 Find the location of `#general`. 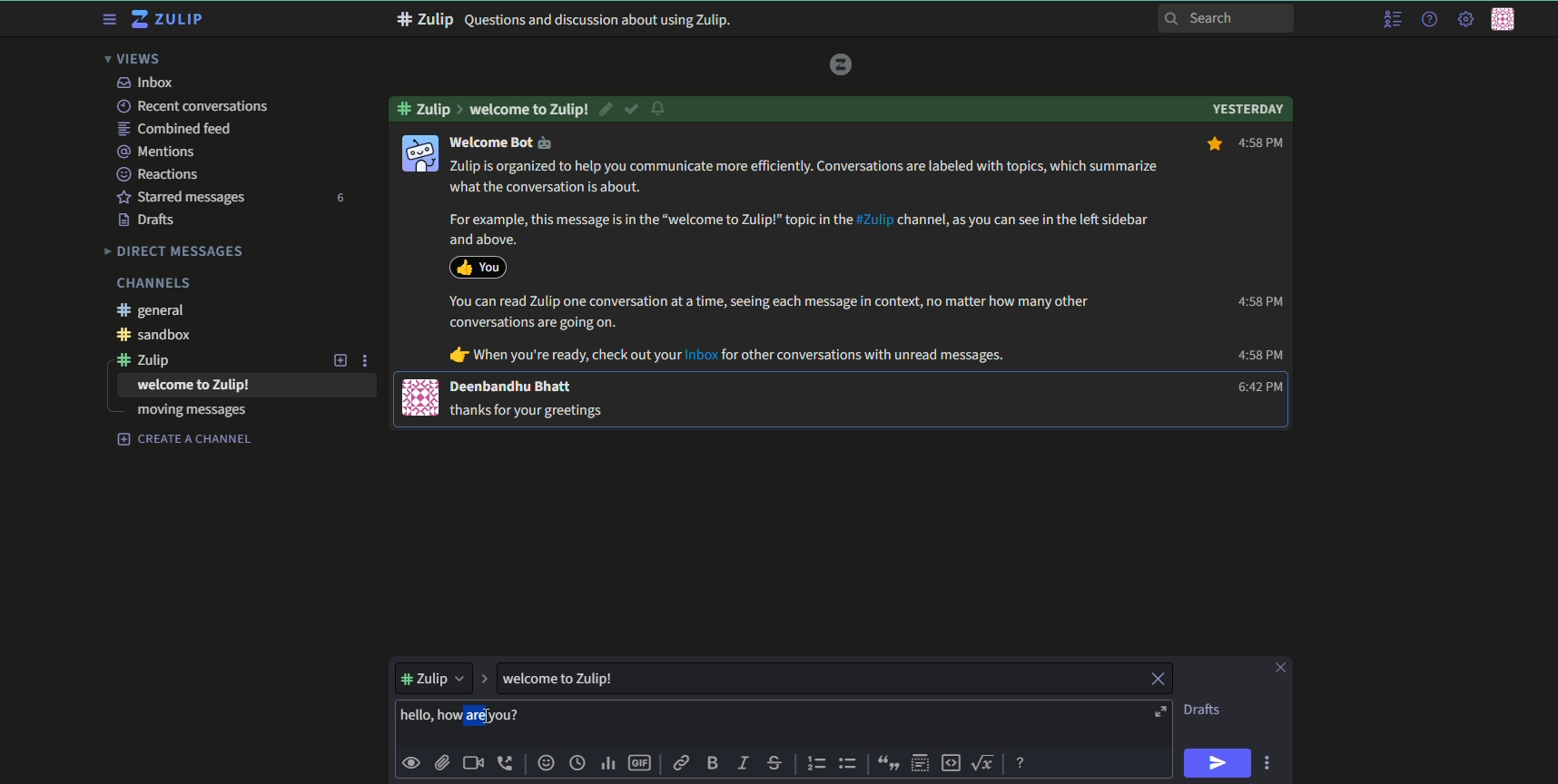

#general is located at coordinates (156, 310).